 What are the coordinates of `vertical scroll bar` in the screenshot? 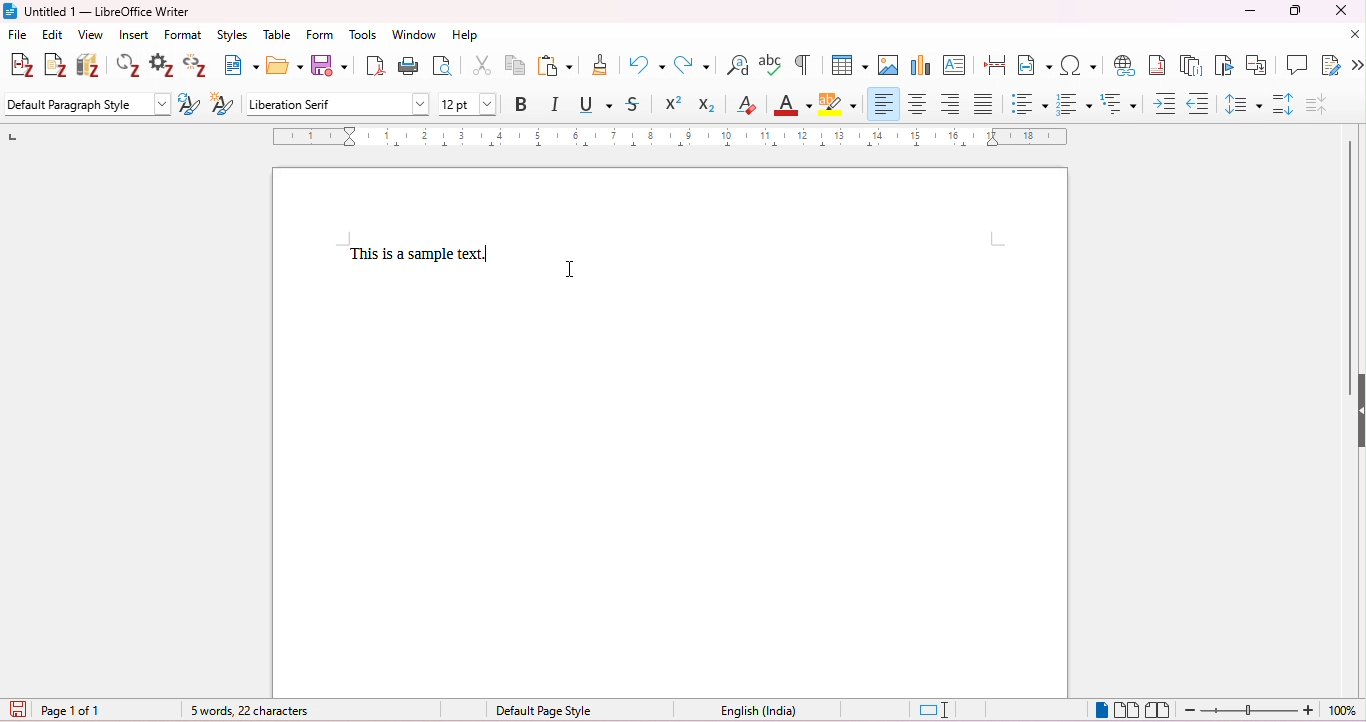 It's located at (1347, 268).